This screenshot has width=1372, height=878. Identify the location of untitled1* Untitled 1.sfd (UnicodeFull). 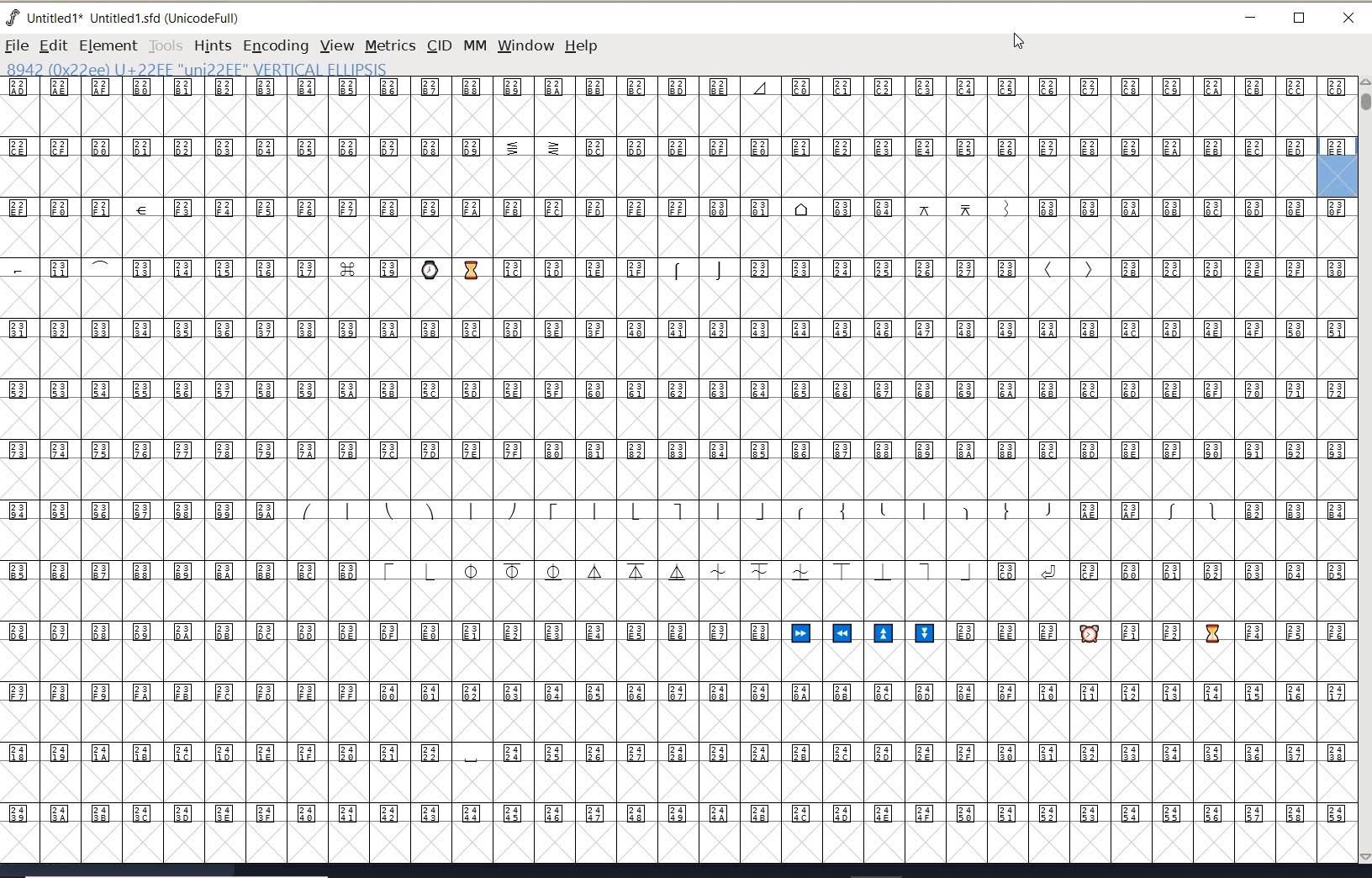
(141, 16).